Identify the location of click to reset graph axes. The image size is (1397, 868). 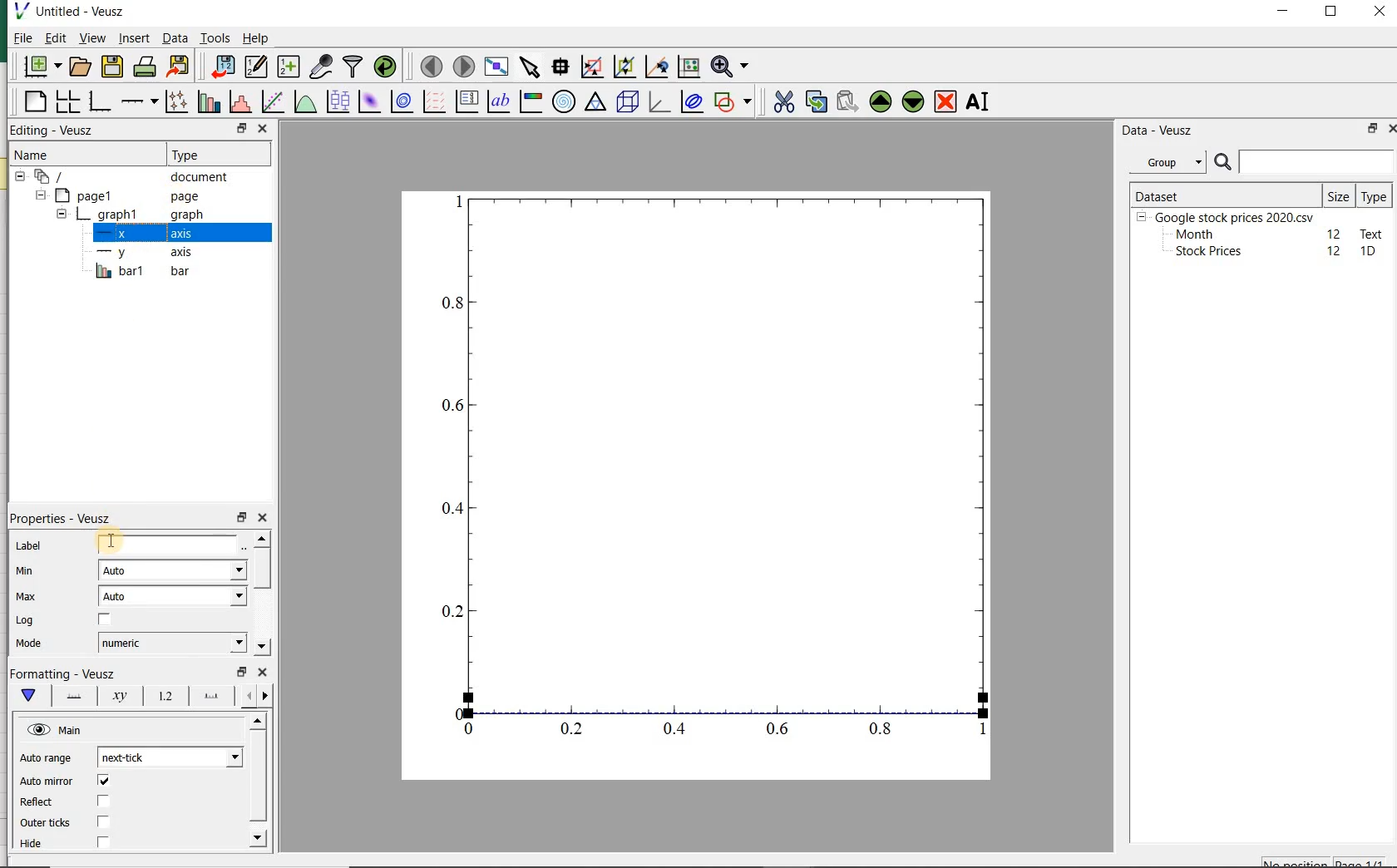
(687, 67).